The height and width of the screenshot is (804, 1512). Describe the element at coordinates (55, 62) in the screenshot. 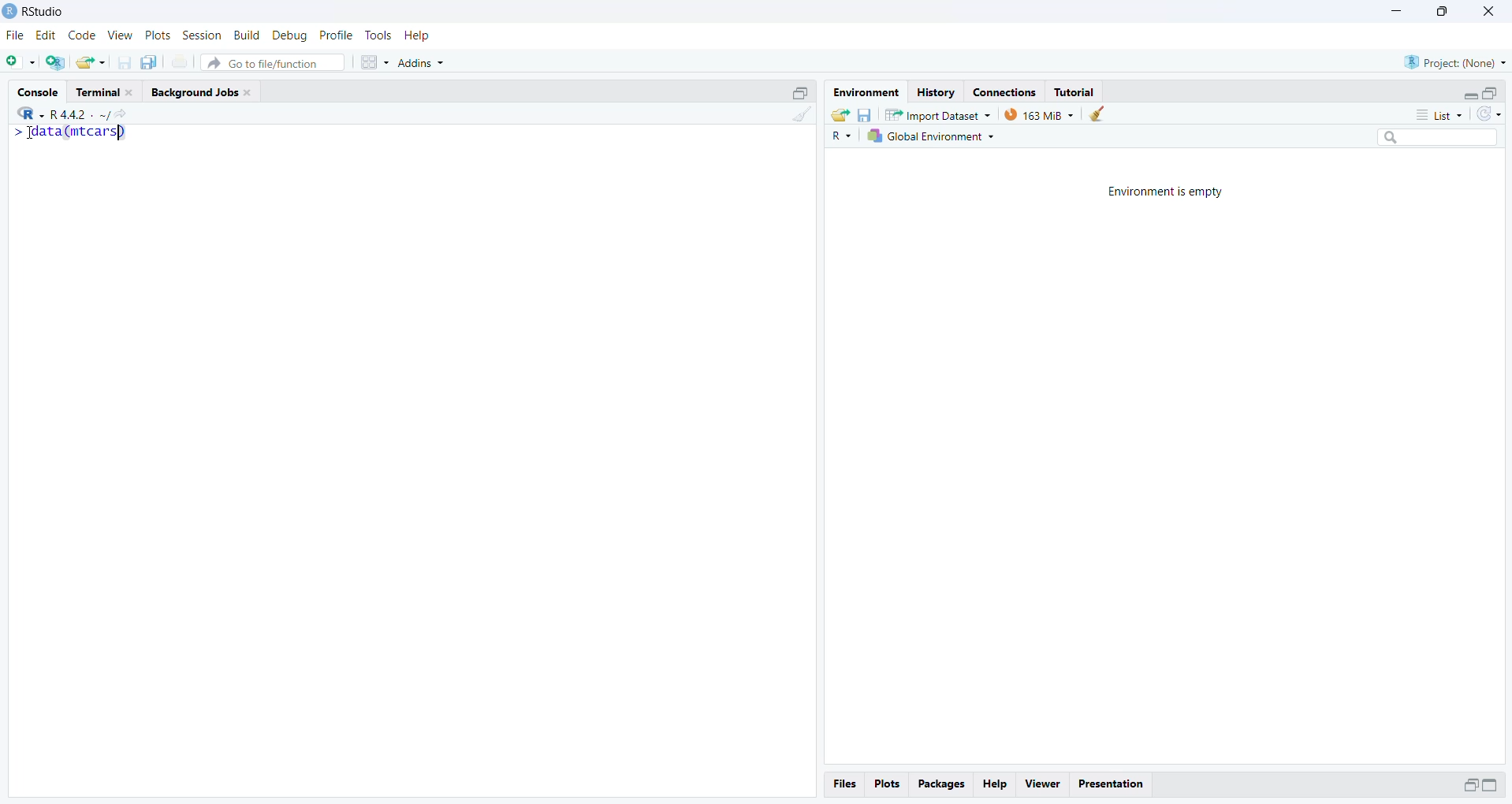

I see `add file` at that location.